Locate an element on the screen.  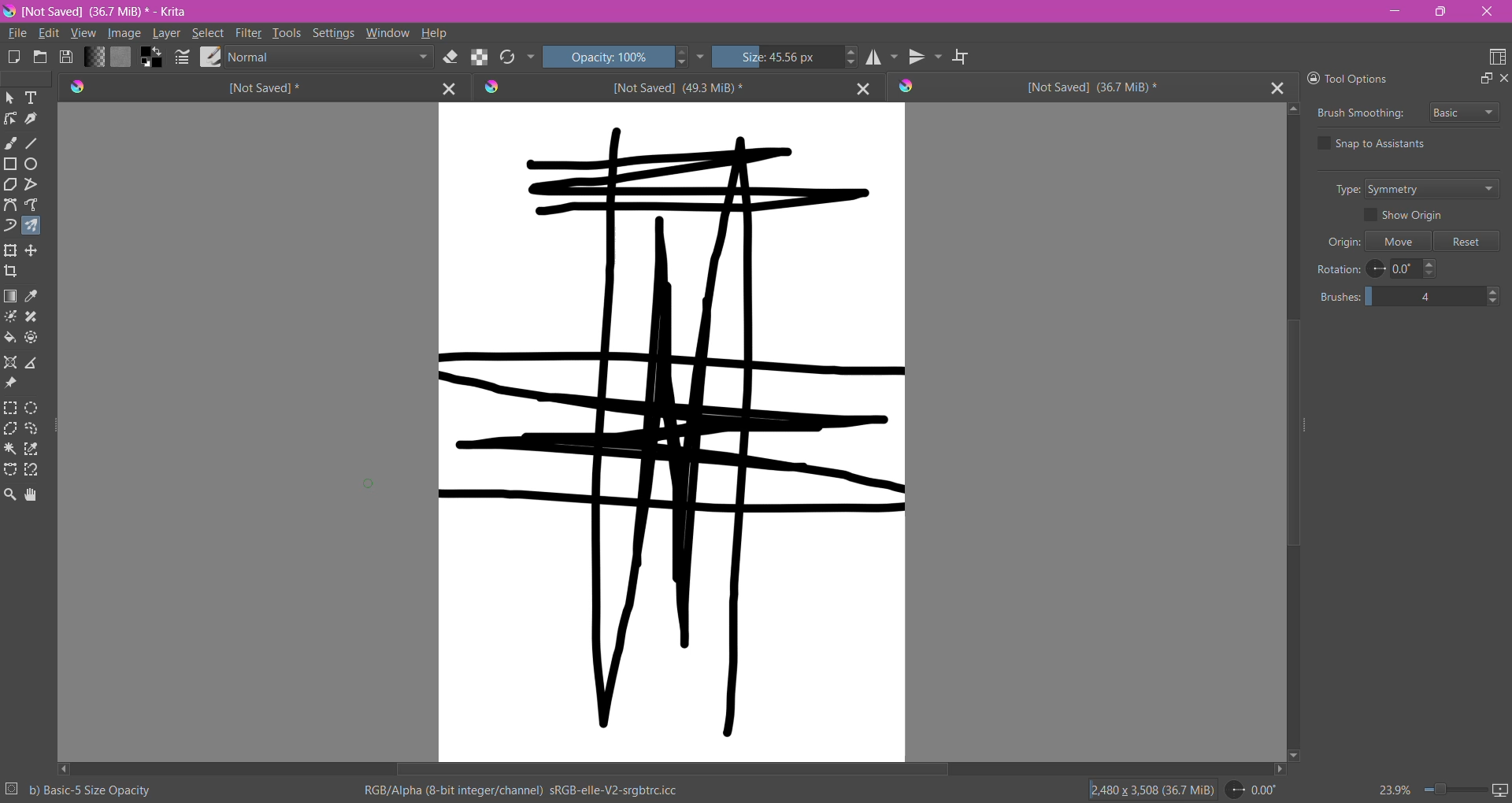
Close Tab is located at coordinates (446, 87).